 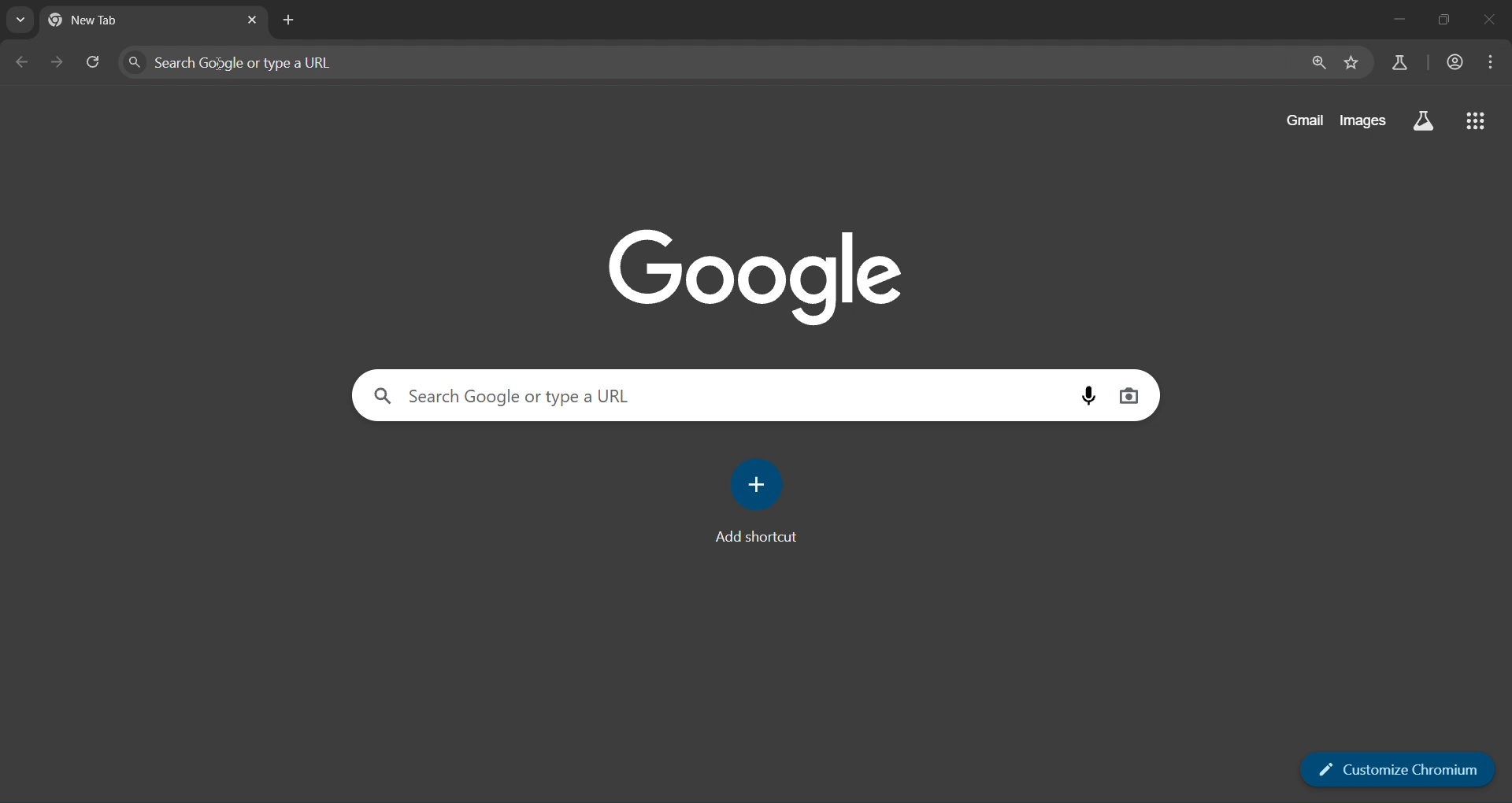 I want to click on menu, so click(x=1489, y=62).